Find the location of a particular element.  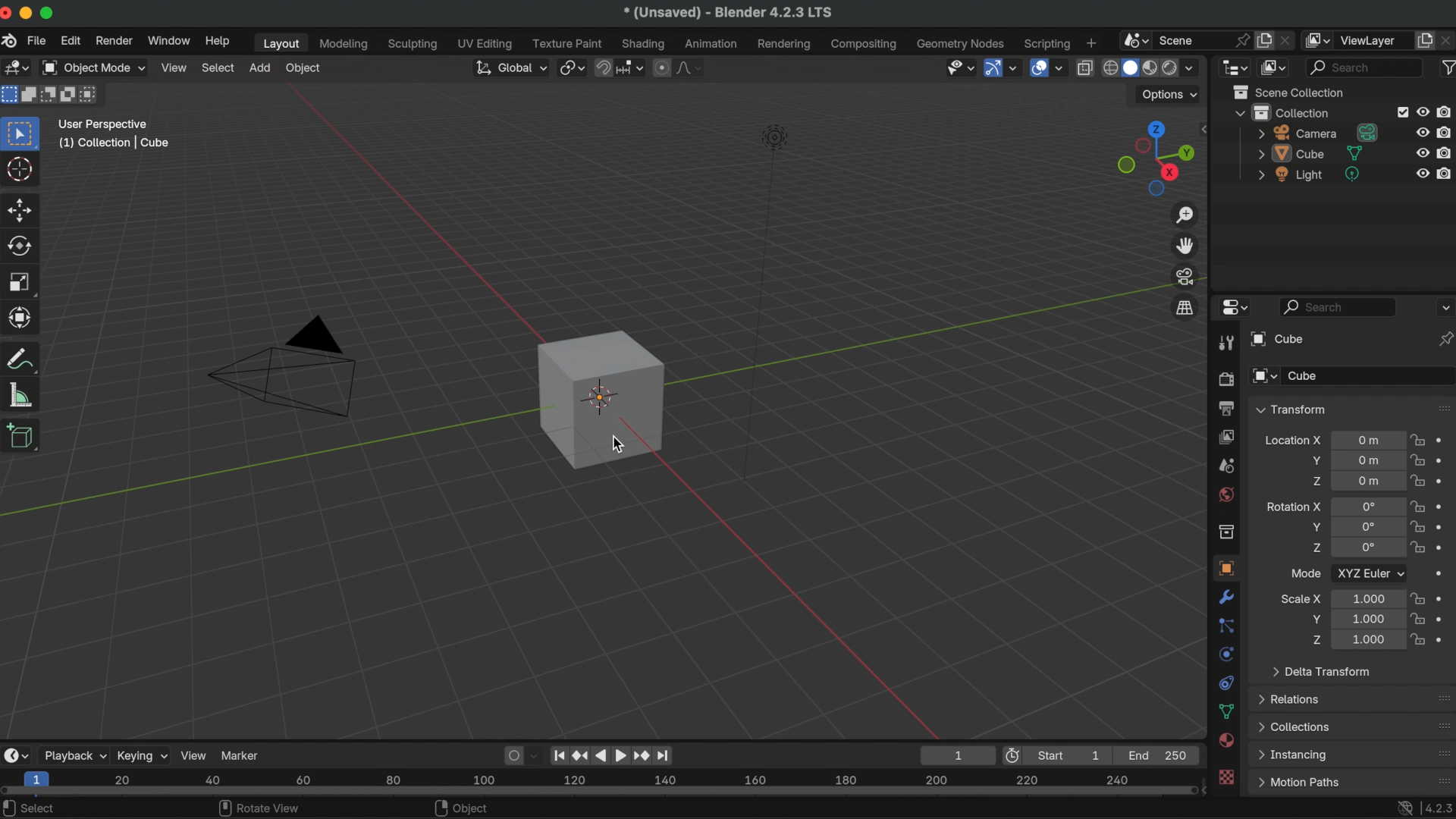

mode extend existing condition is located at coordinates (31, 94).